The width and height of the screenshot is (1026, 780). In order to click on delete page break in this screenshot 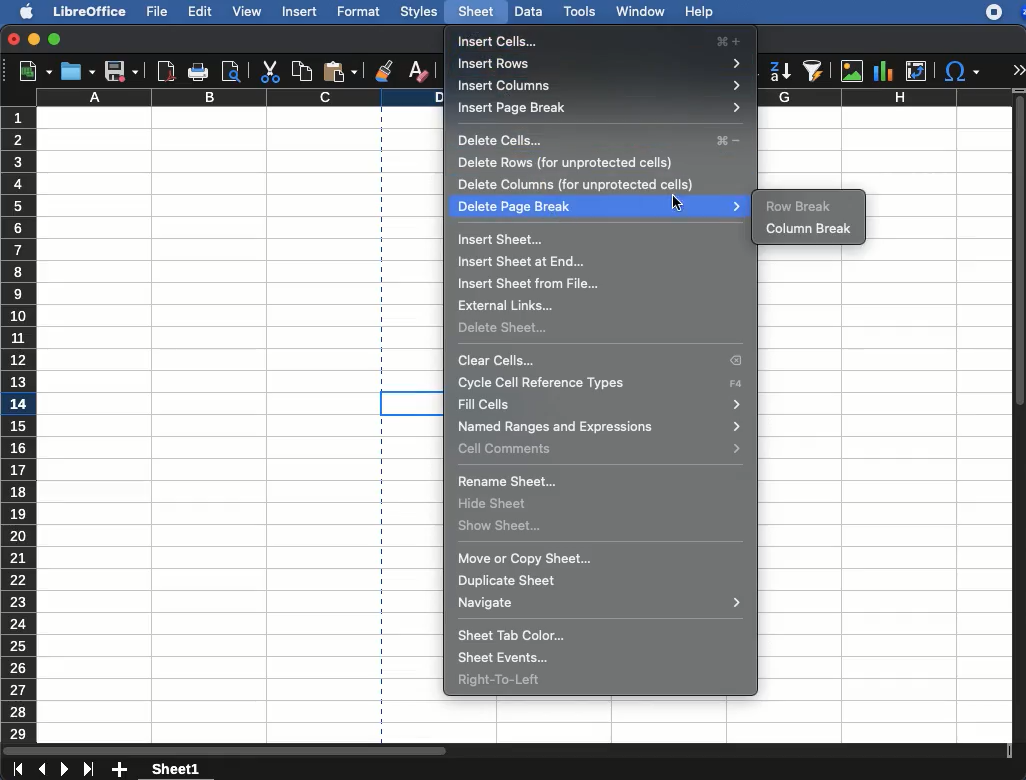, I will do `click(601, 207)`.